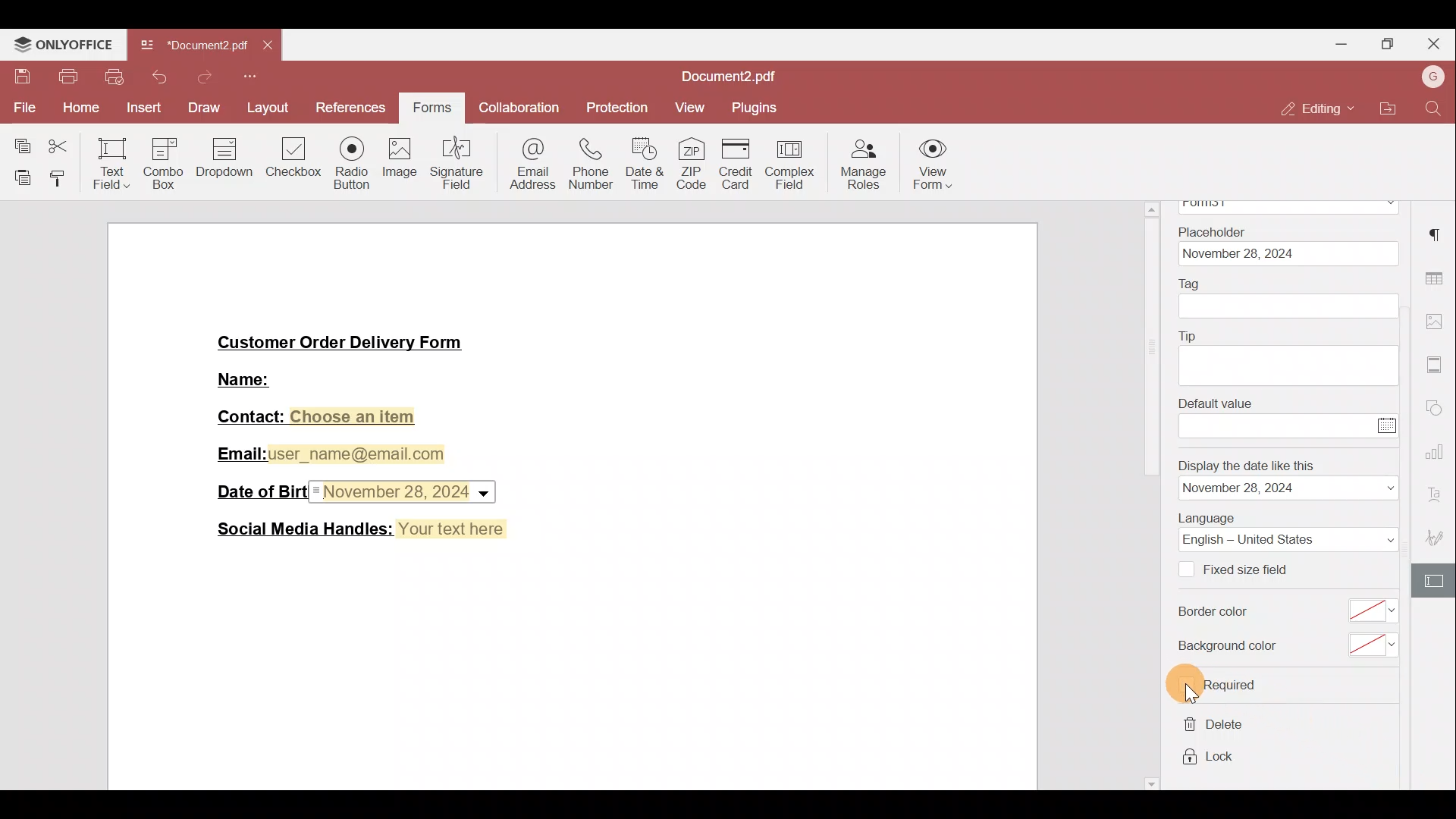 The height and width of the screenshot is (819, 1456). What do you see at coordinates (18, 174) in the screenshot?
I see `Paste` at bounding box center [18, 174].